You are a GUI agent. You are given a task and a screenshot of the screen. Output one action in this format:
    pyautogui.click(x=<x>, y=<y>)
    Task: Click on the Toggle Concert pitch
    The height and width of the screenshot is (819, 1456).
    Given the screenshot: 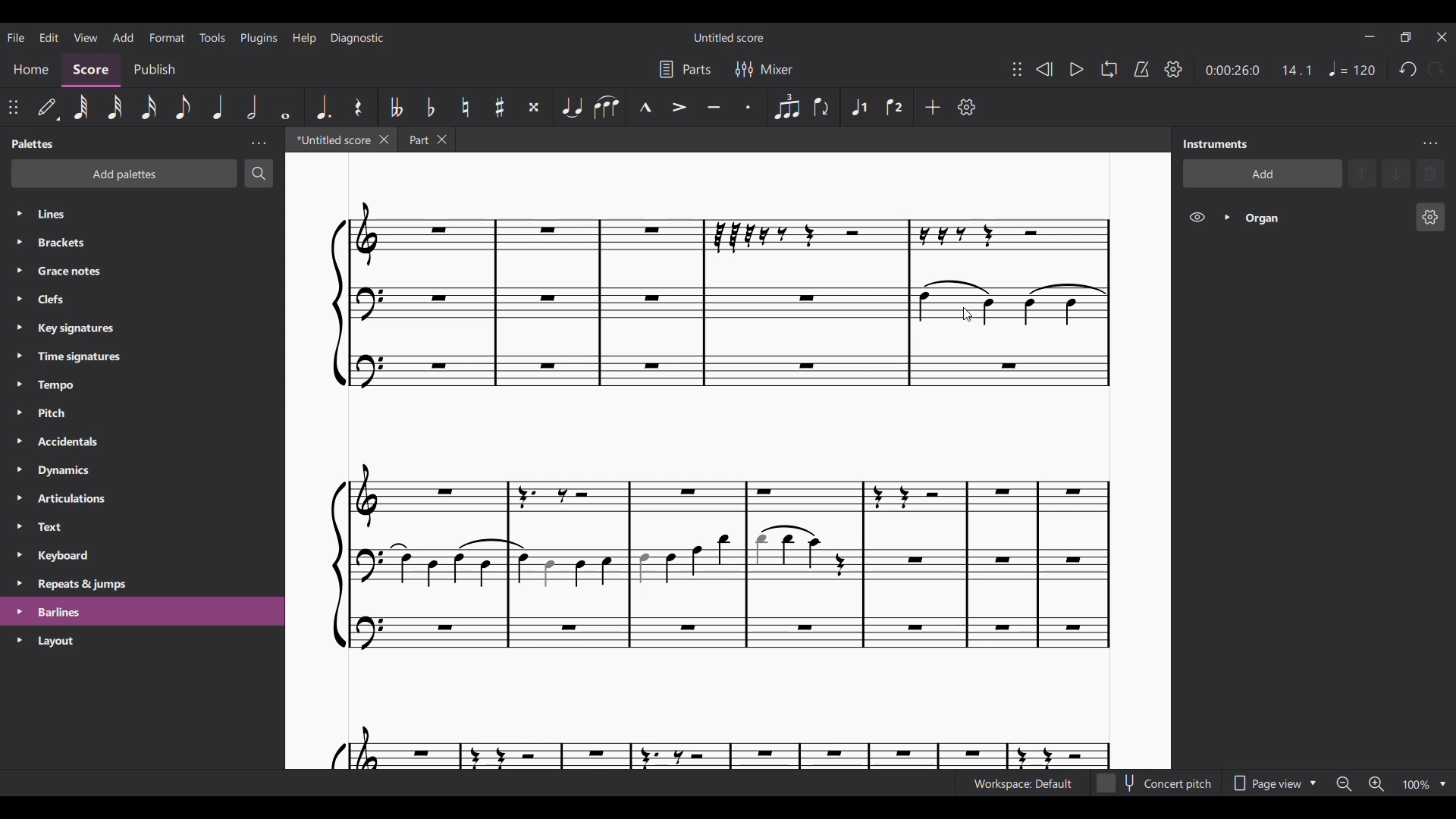 What is the action you would take?
    pyautogui.click(x=1156, y=783)
    